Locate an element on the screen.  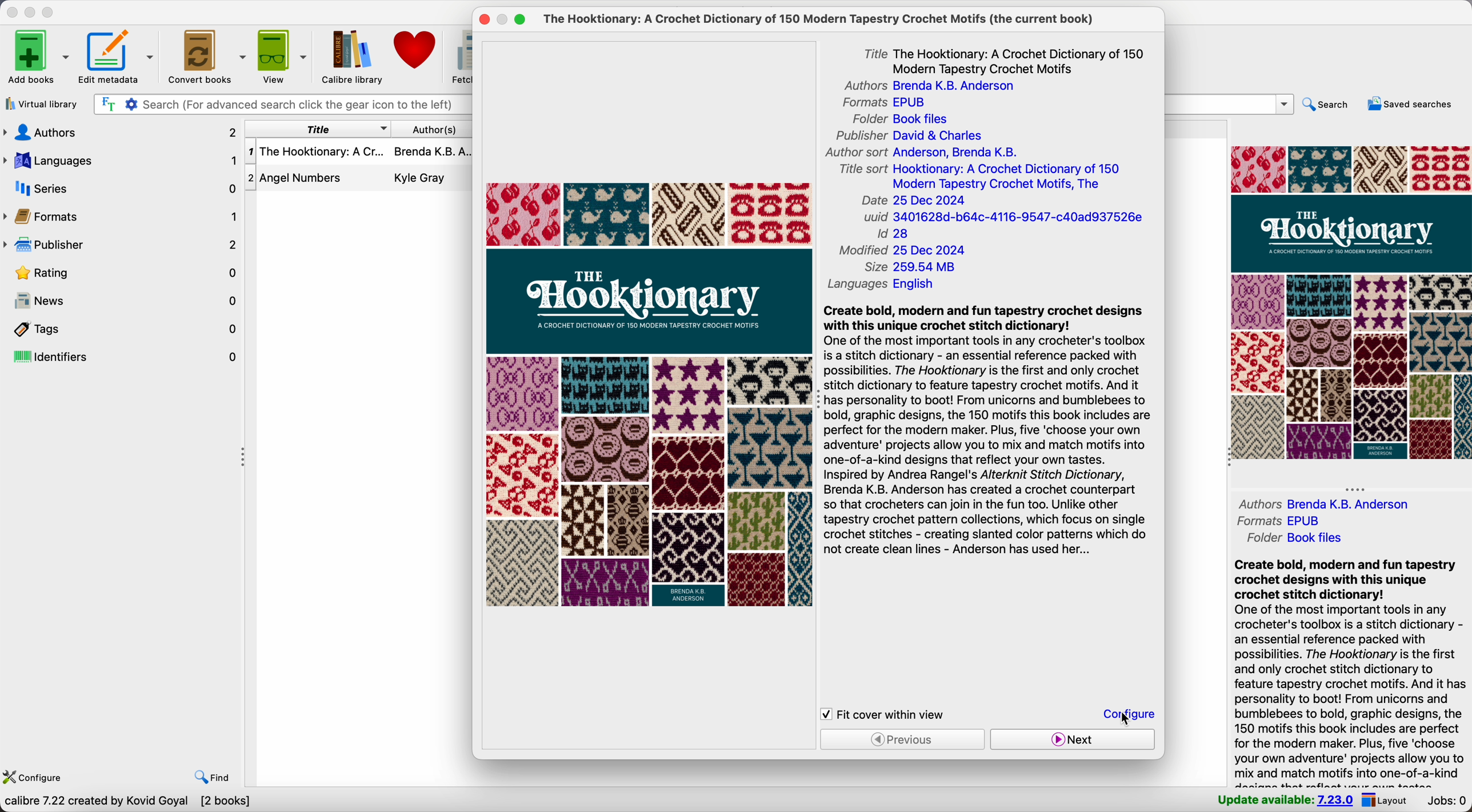
modified is located at coordinates (902, 251).